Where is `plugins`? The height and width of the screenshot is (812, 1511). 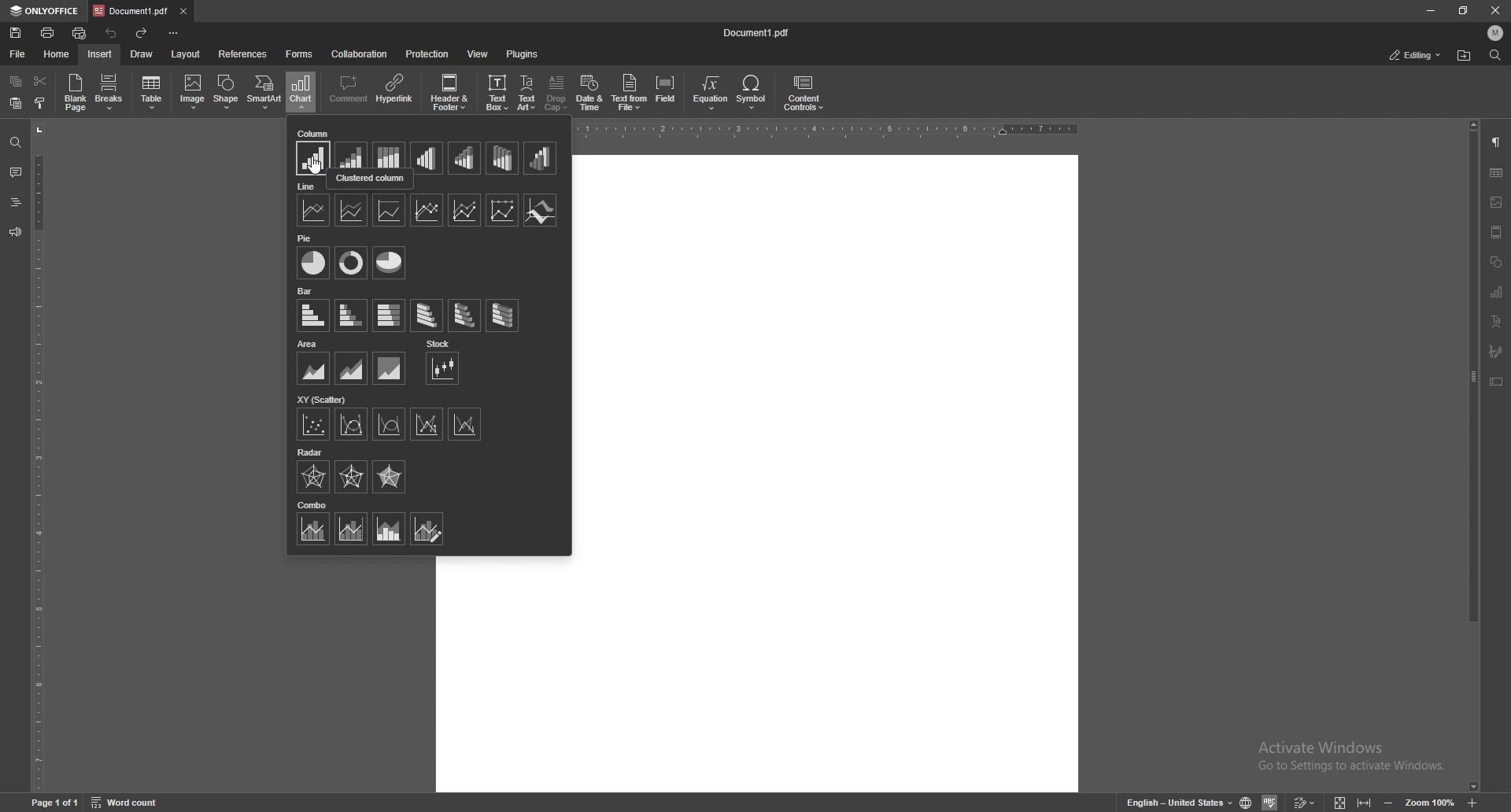 plugins is located at coordinates (523, 54).